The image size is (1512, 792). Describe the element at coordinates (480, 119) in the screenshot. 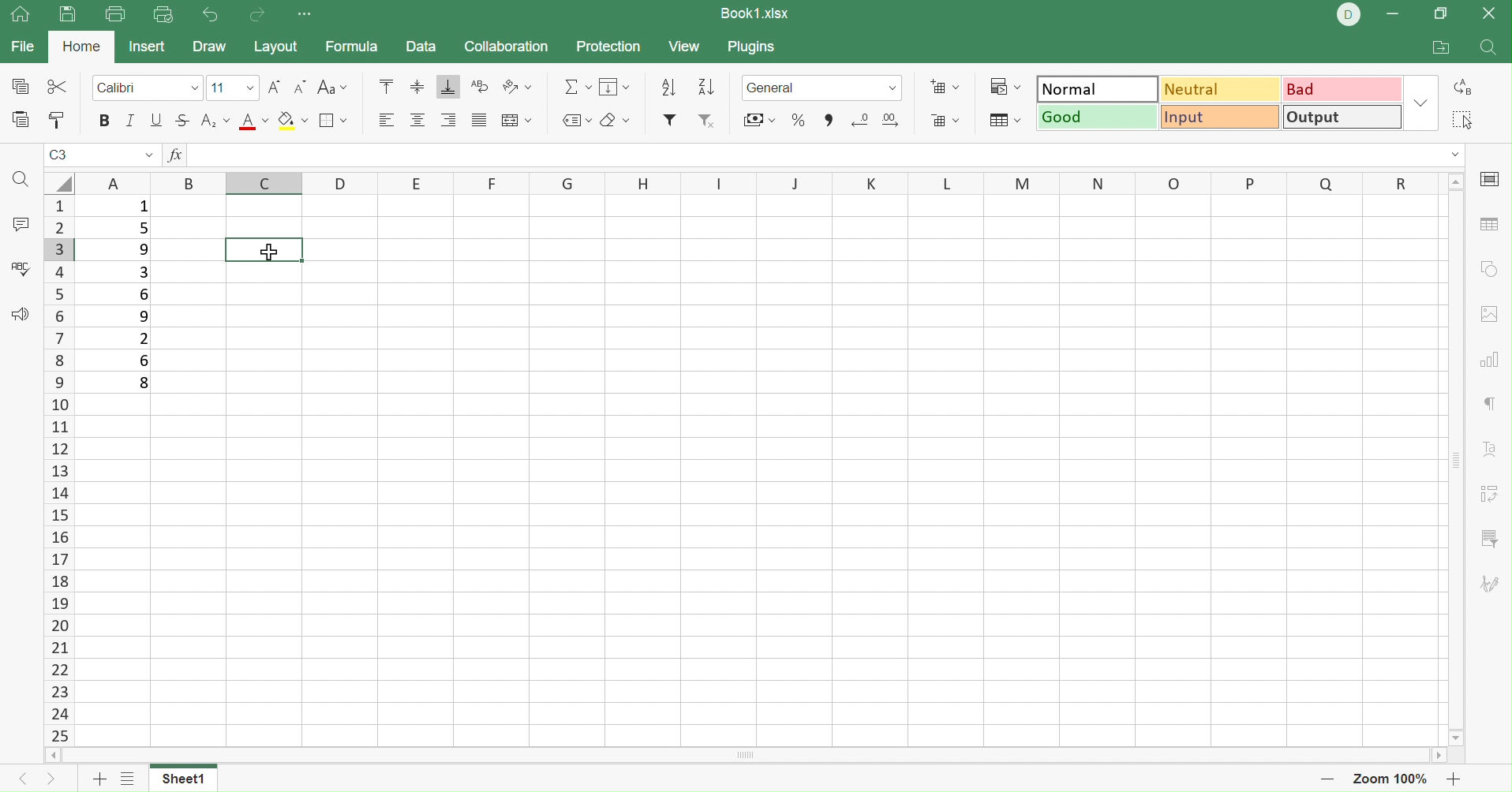

I see `Justified` at that location.